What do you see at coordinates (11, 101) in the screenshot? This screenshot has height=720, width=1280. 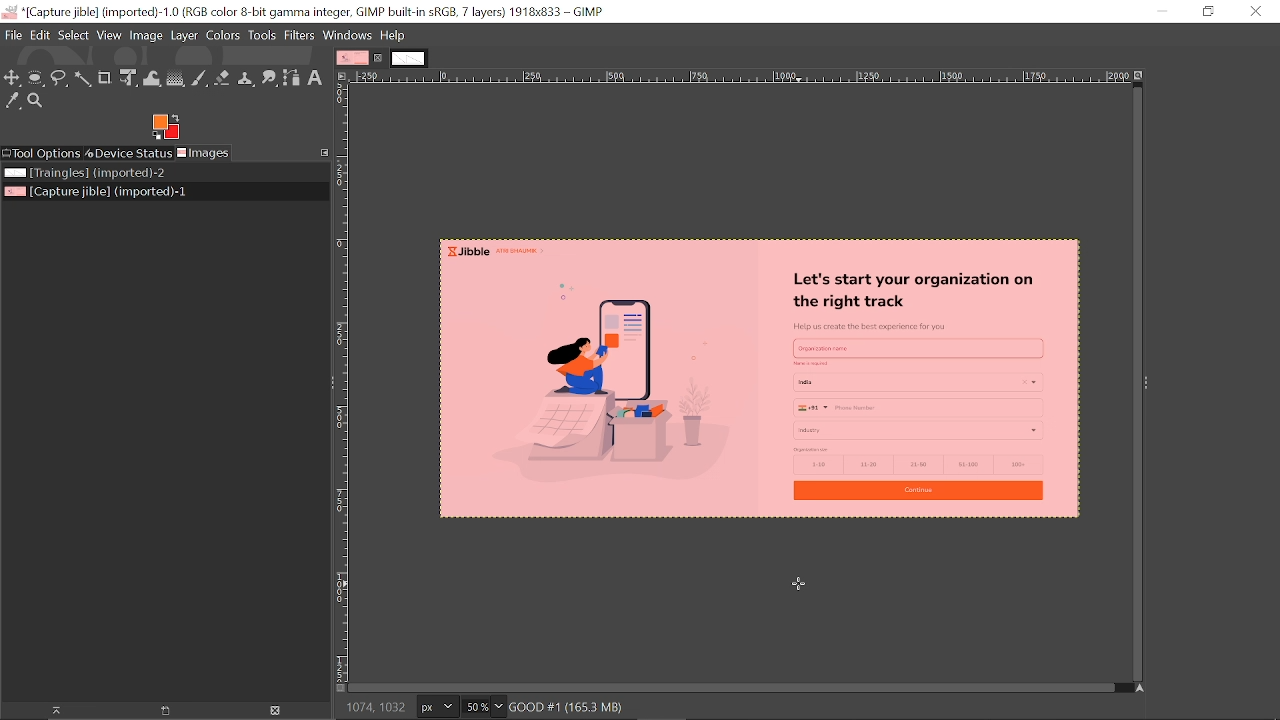 I see `Color picker tool` at bounding box center [11, 101].